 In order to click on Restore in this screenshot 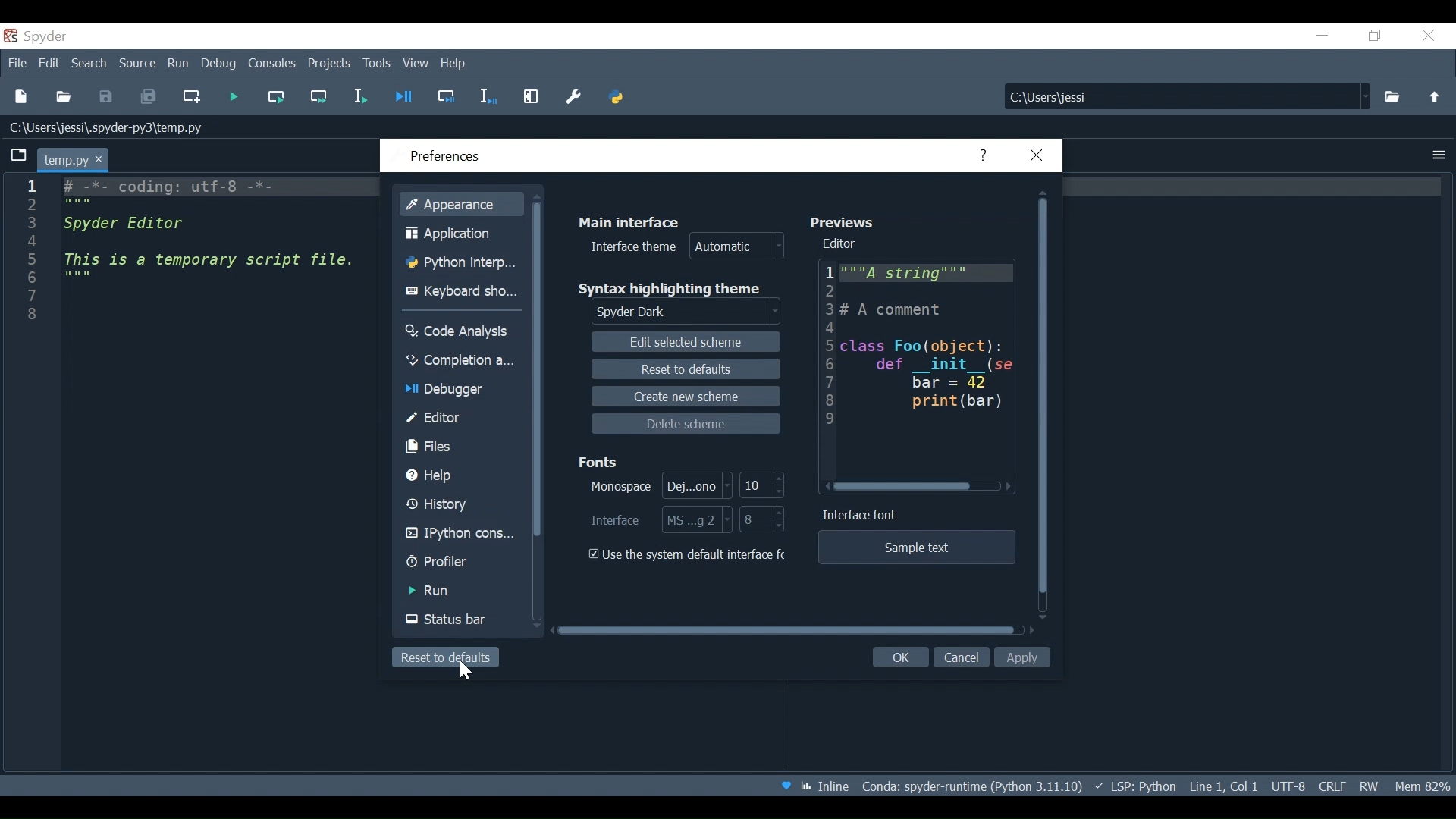, I will do `click(1376, 35)`.